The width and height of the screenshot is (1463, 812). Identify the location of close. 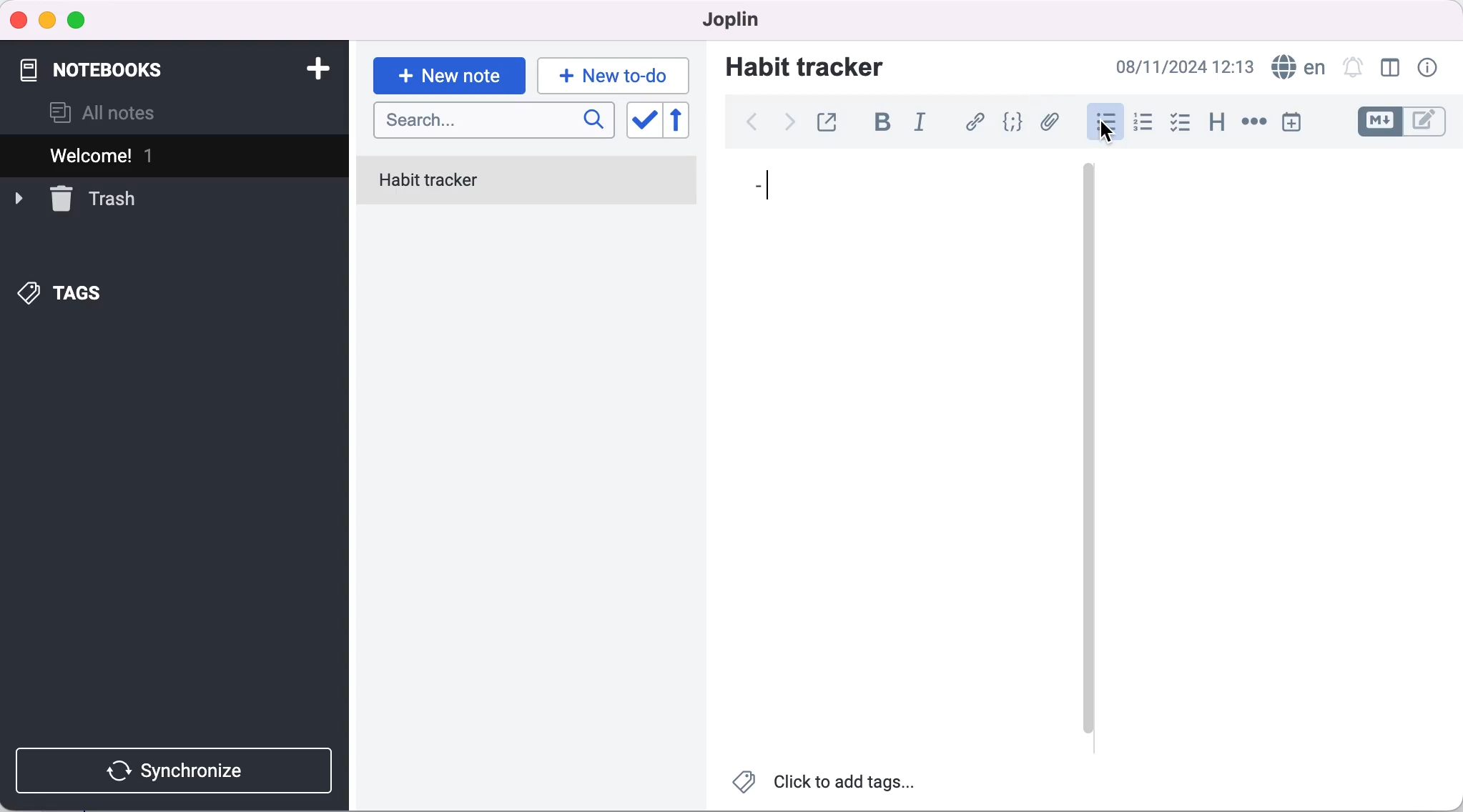
(19, 19).